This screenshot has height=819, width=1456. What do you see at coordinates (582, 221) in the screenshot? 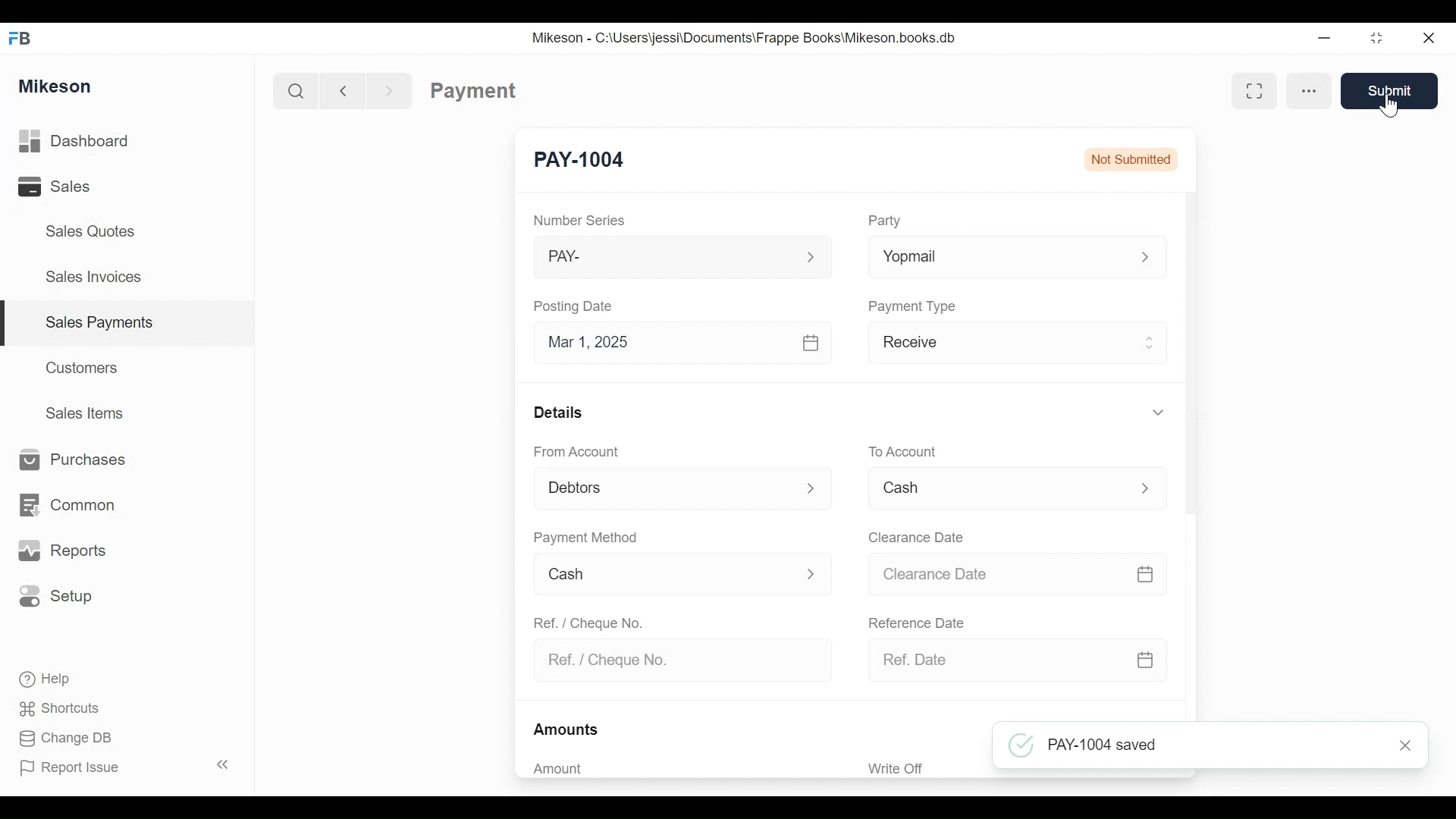
I see `Number Series` at bounding box center [582, 221].